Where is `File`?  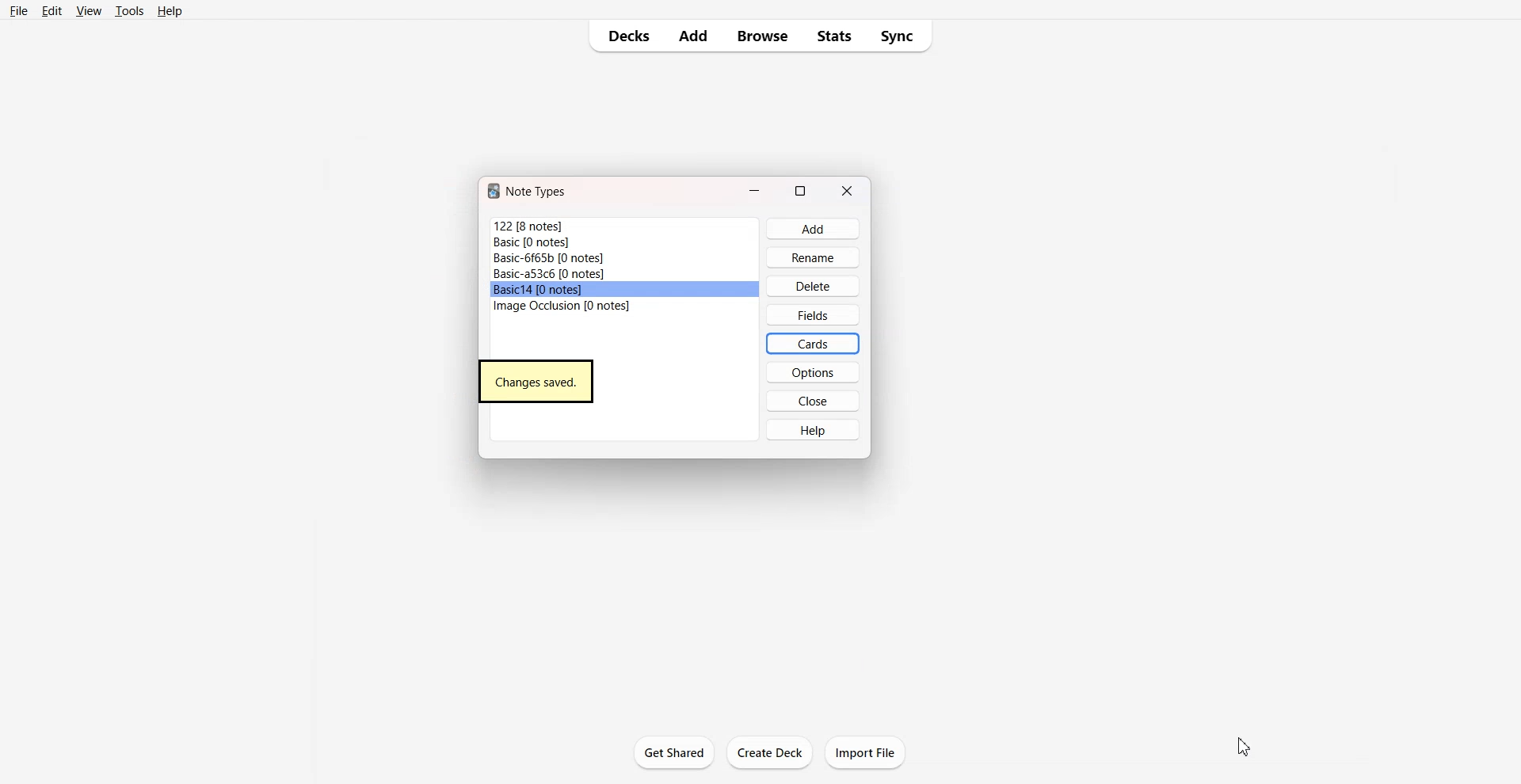 File is located at coordinates (625, 242).